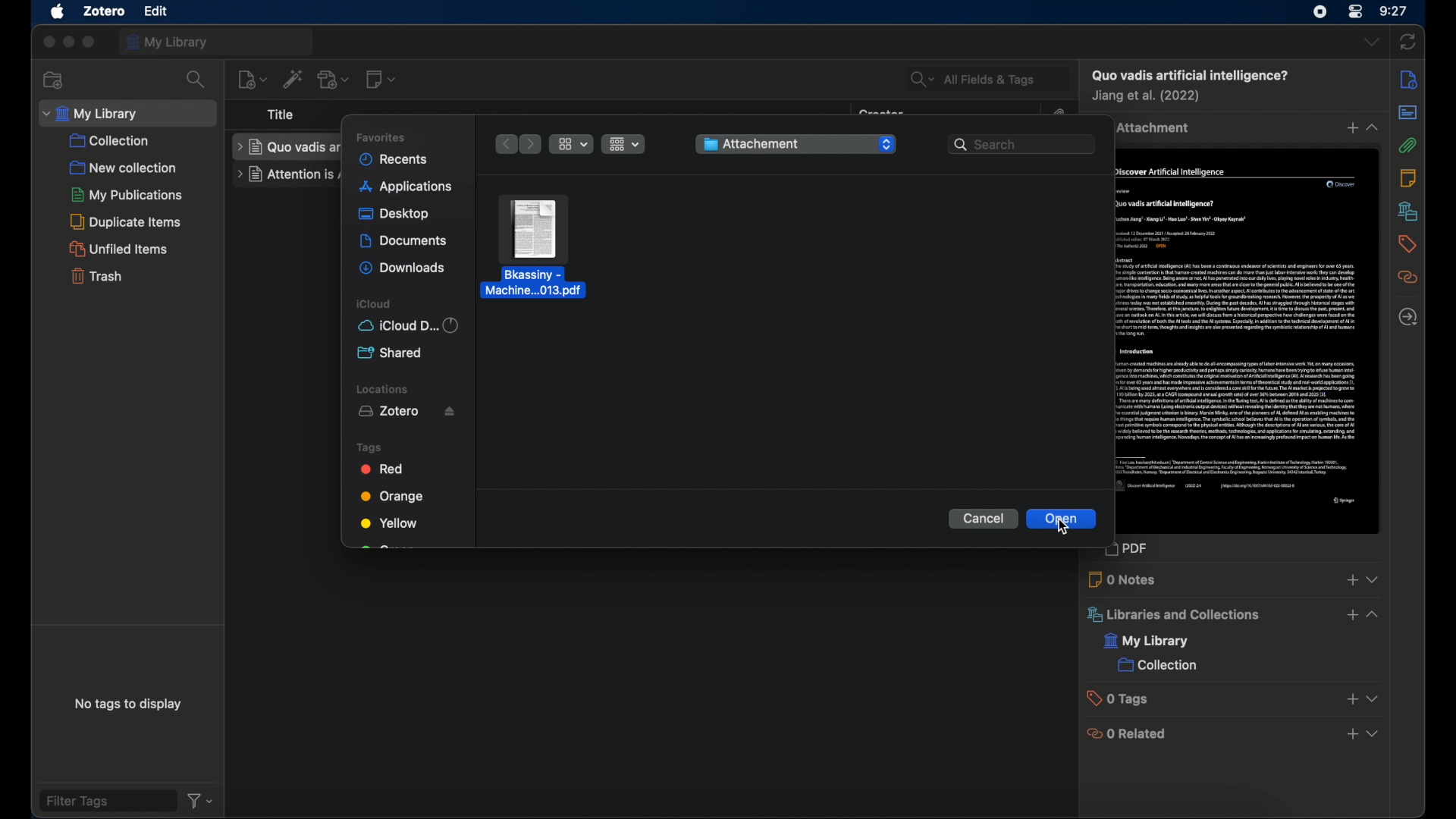 The height and width of the screenshot is (819, 1456). Describe the element at coordinates (106, 800) in the screenshot. I see `filter tags field` at that location.